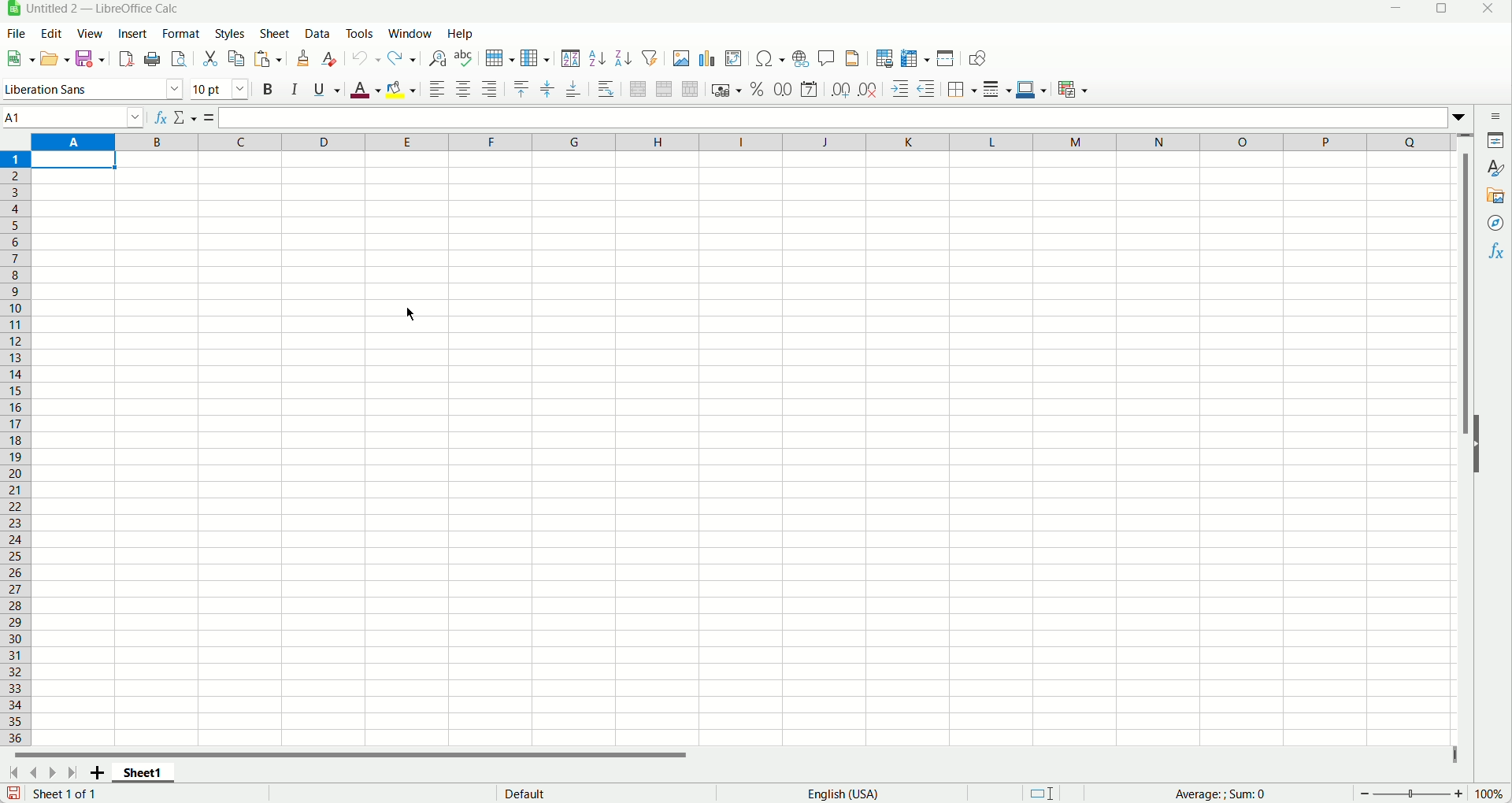  What do you see at coordinates (839, 88) in the screenshot?
I see `Add decimal place` at bounding box center [839, 88].